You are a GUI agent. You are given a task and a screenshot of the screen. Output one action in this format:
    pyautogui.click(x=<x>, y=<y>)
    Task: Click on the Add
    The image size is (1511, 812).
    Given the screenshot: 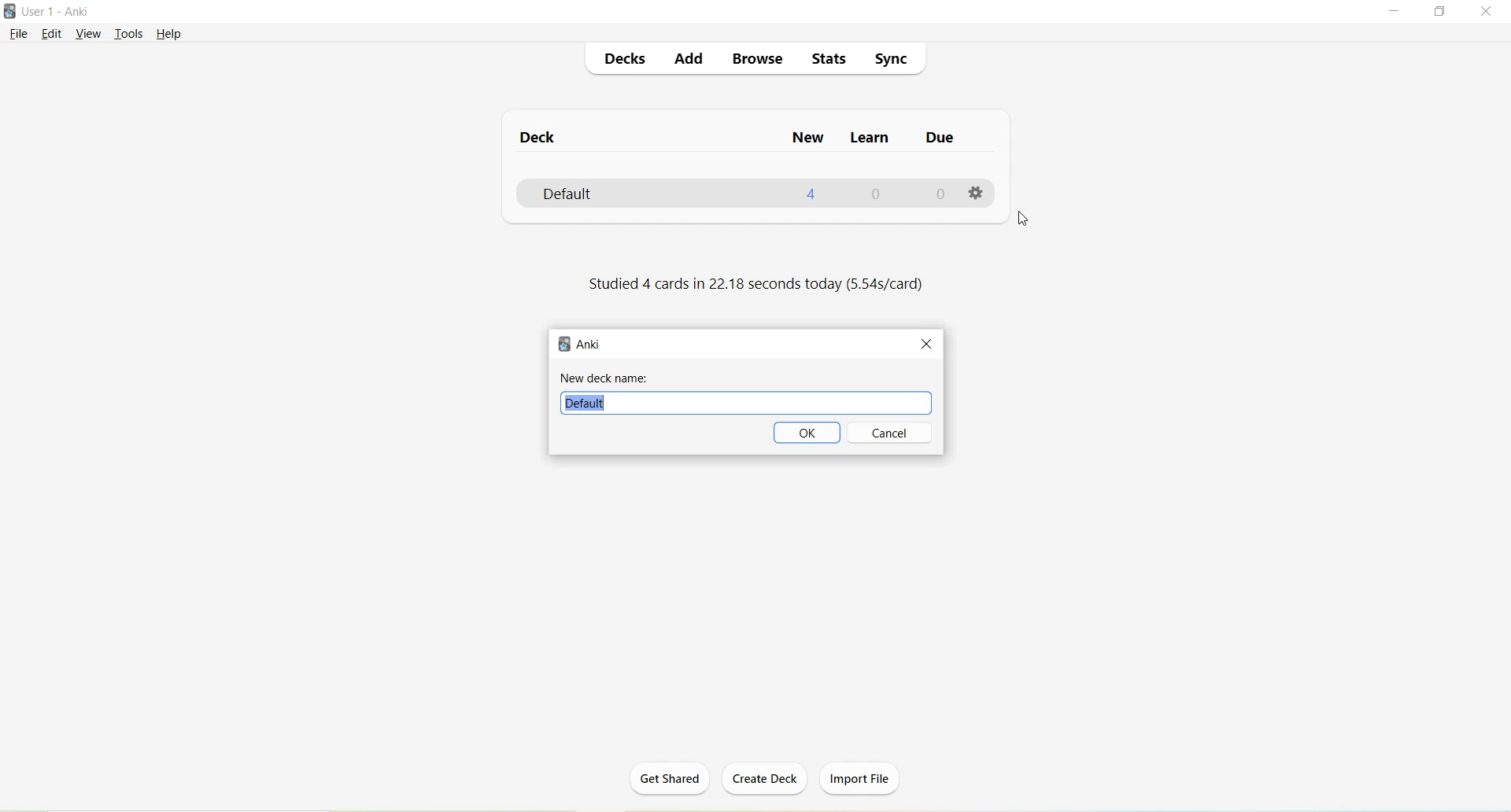 What is the action you would take?
    pyautogui.click(x=690, y=59)
    